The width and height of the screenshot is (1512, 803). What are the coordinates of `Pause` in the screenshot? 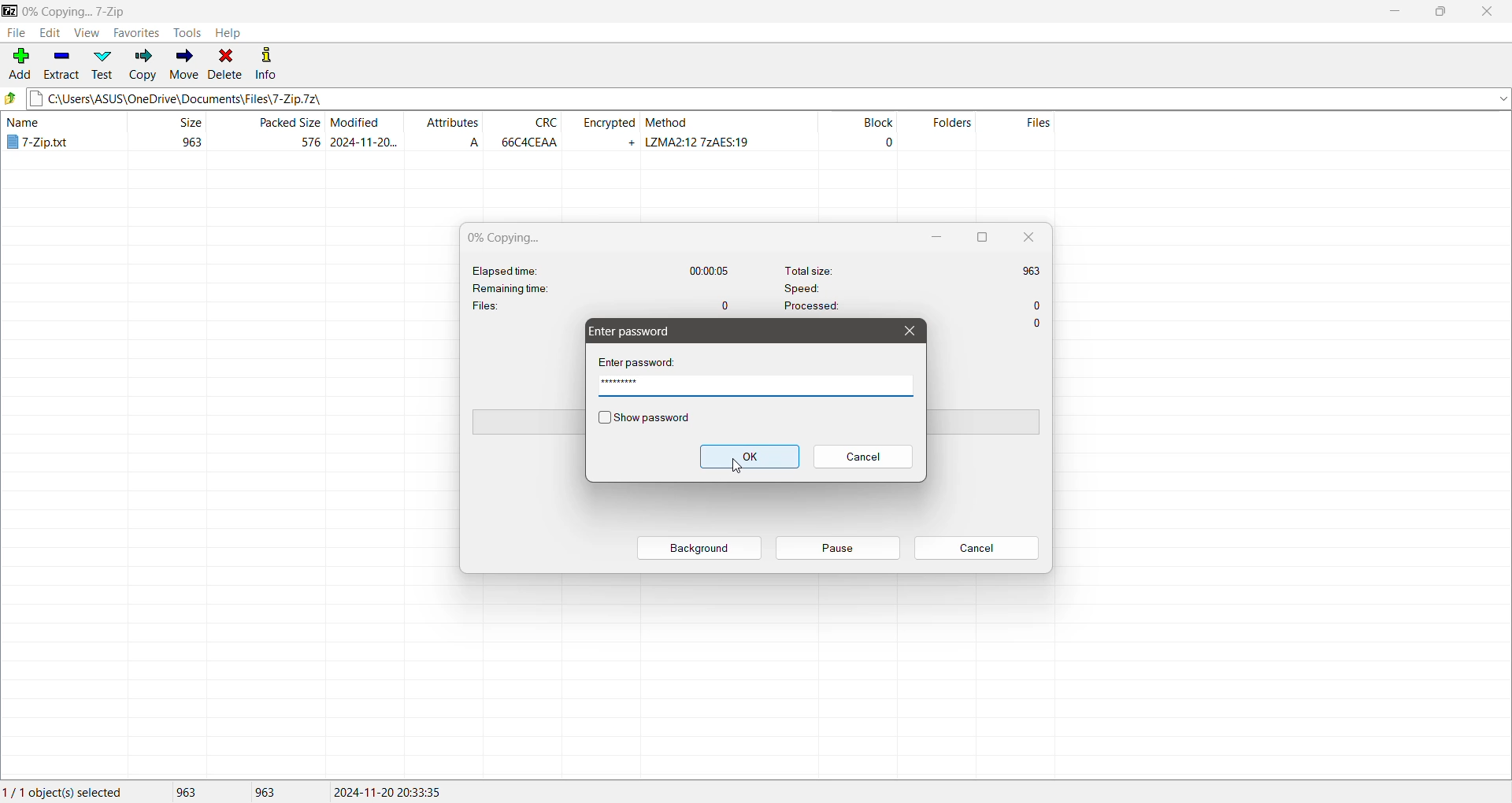 It's located at (837, 548).